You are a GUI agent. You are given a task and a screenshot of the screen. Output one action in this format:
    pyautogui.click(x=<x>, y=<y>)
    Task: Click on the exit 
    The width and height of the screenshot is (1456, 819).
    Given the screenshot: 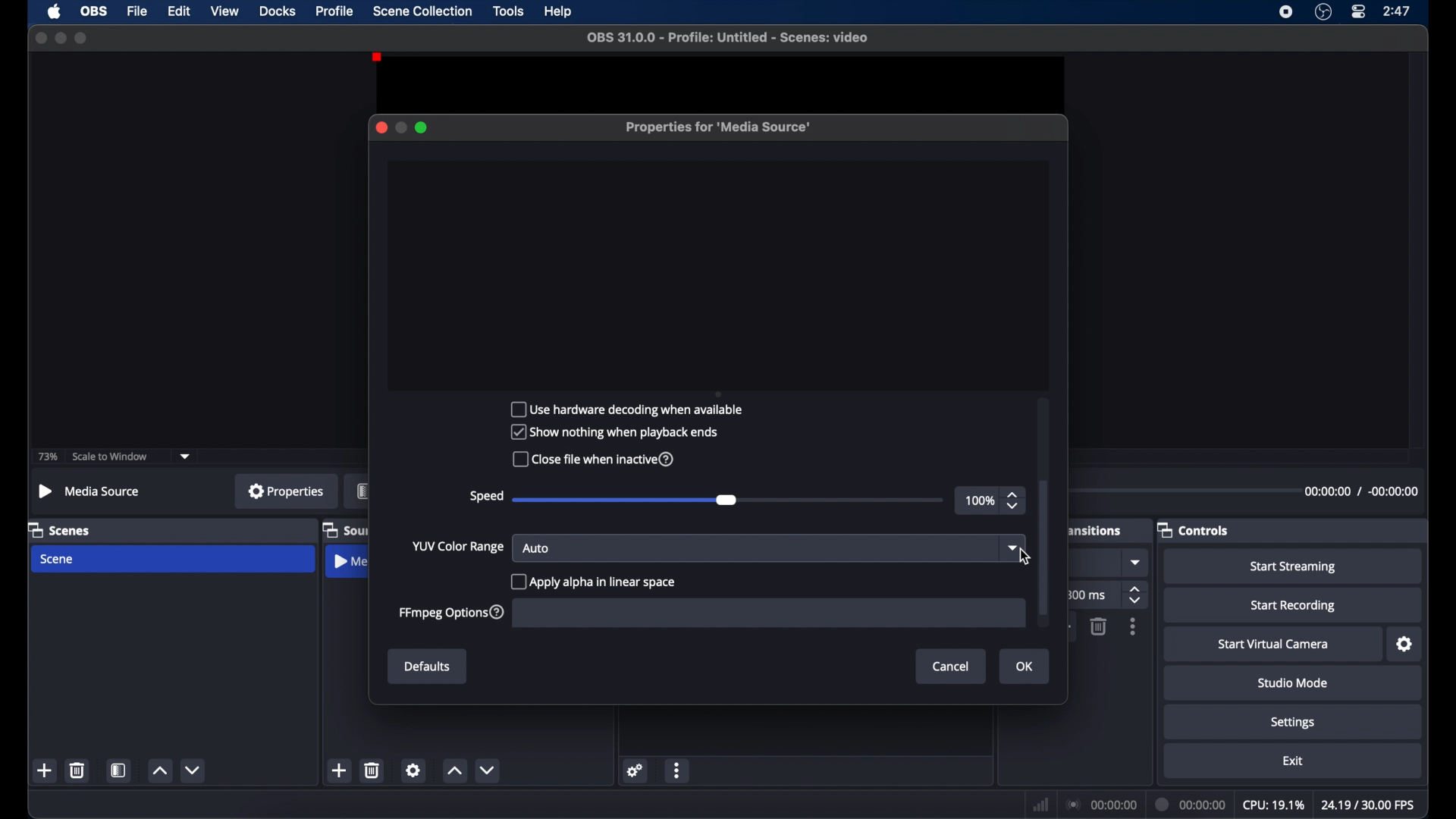 What is the action you would take?
    pyautogui.click(x=1293, y=761)
    